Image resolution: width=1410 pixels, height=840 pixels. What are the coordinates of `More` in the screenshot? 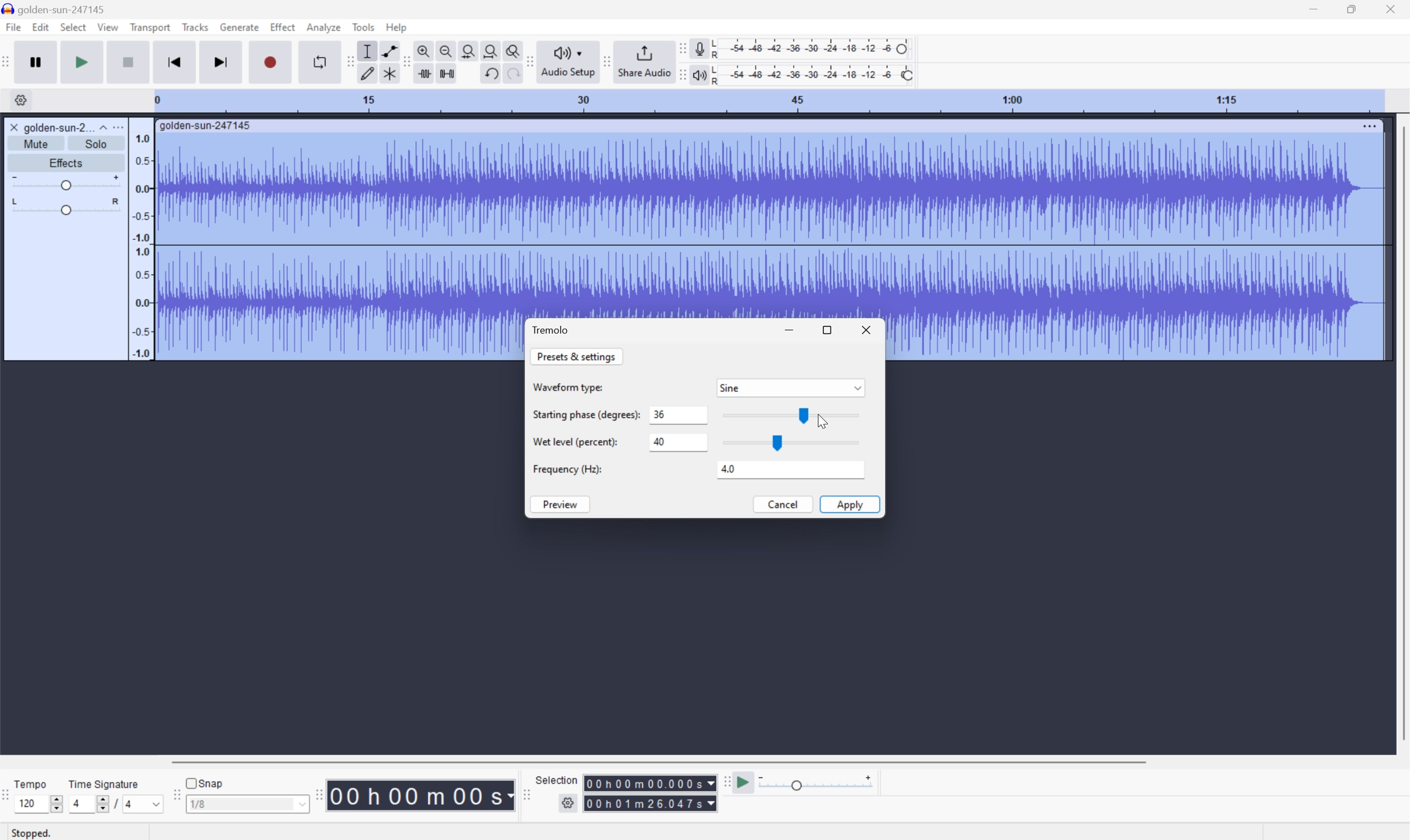 It's located at (1368, 125).